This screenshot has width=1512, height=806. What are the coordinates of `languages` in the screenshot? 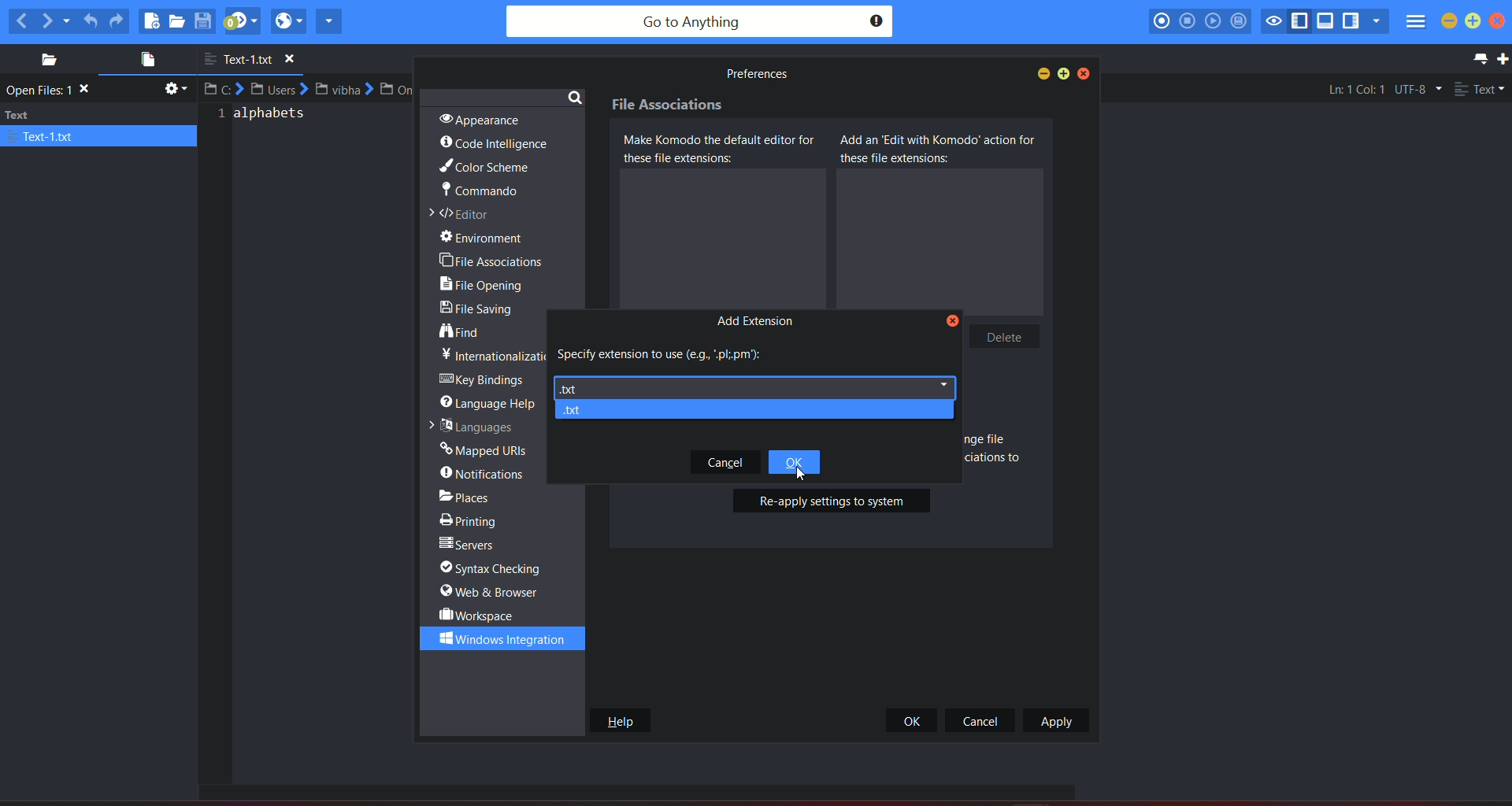 It's located at (469, 425).